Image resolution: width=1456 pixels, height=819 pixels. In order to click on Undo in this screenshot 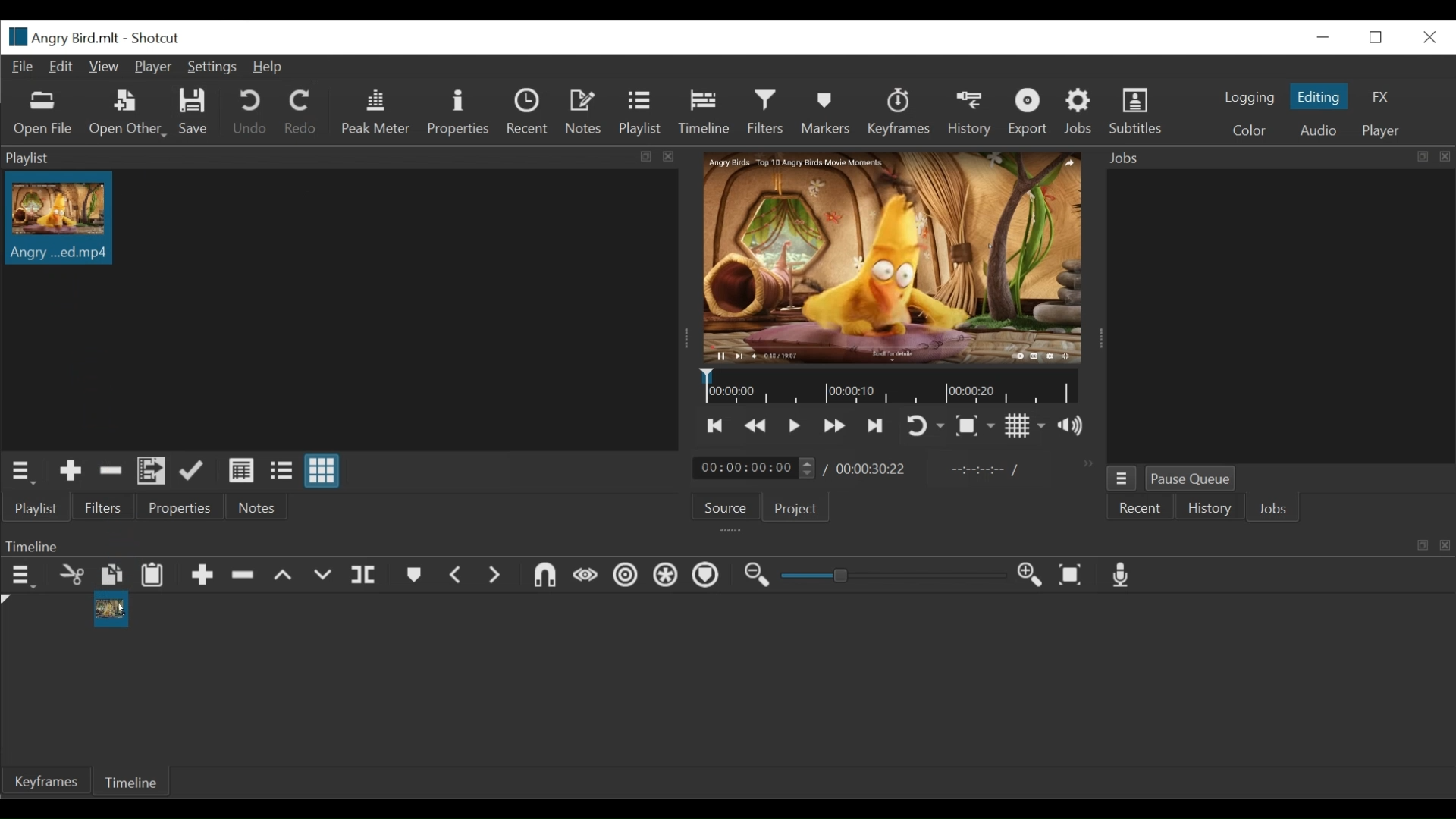, I will do `click(253, 112)`.